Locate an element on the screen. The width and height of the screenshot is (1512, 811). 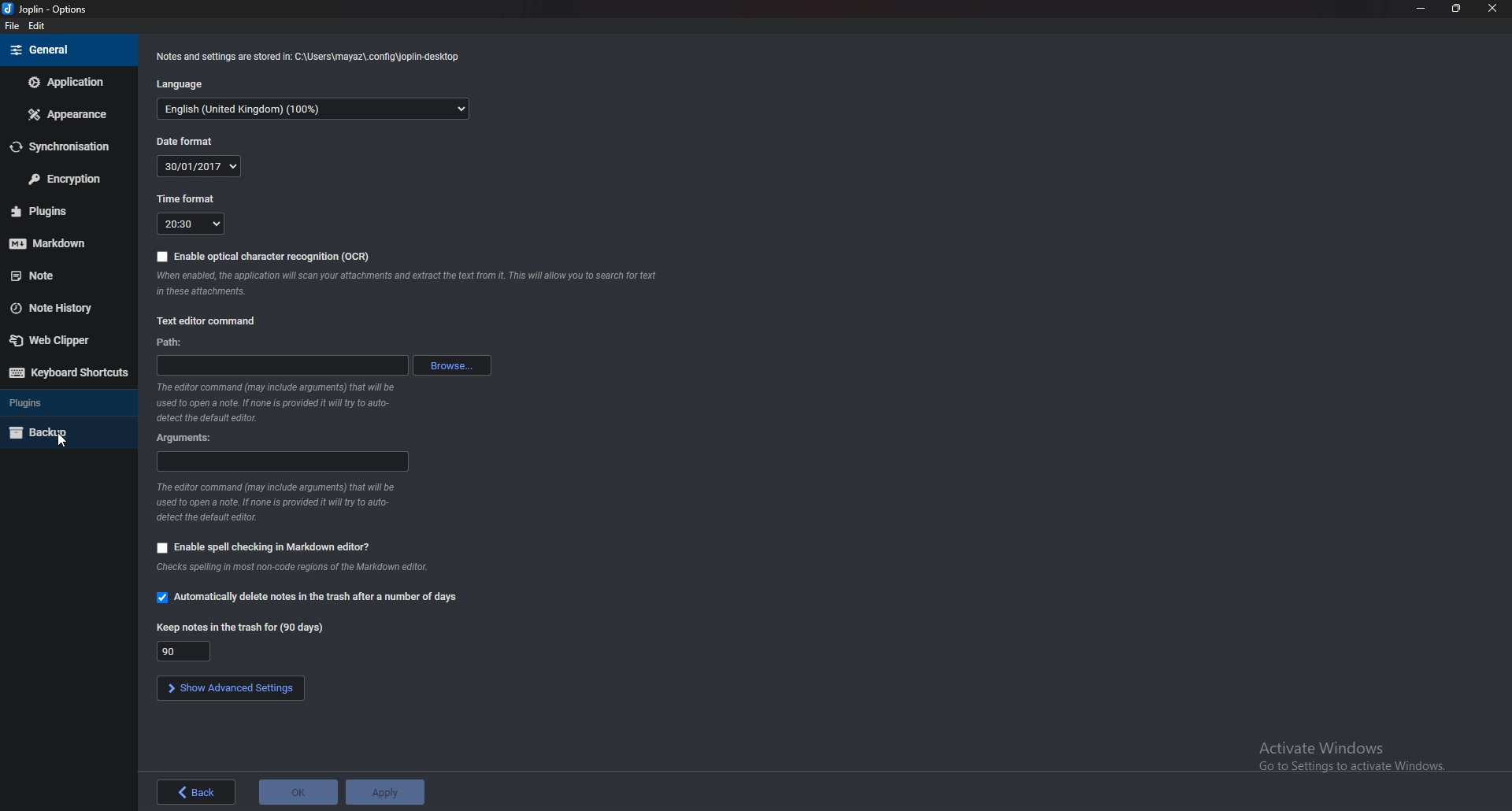
file is located at coordinates (13, 27).